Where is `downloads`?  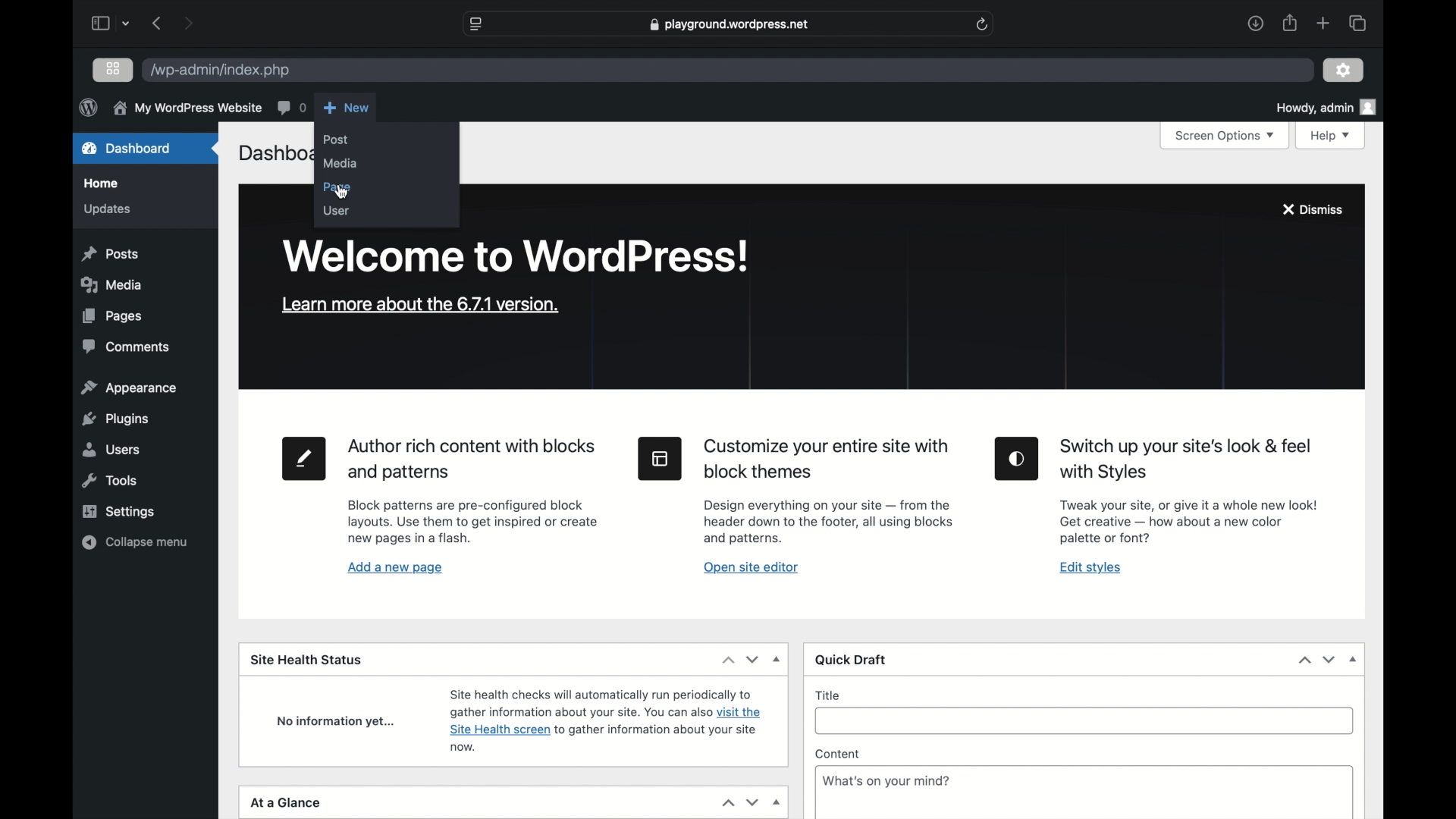
downloads is located at coordinates (1256, 24).